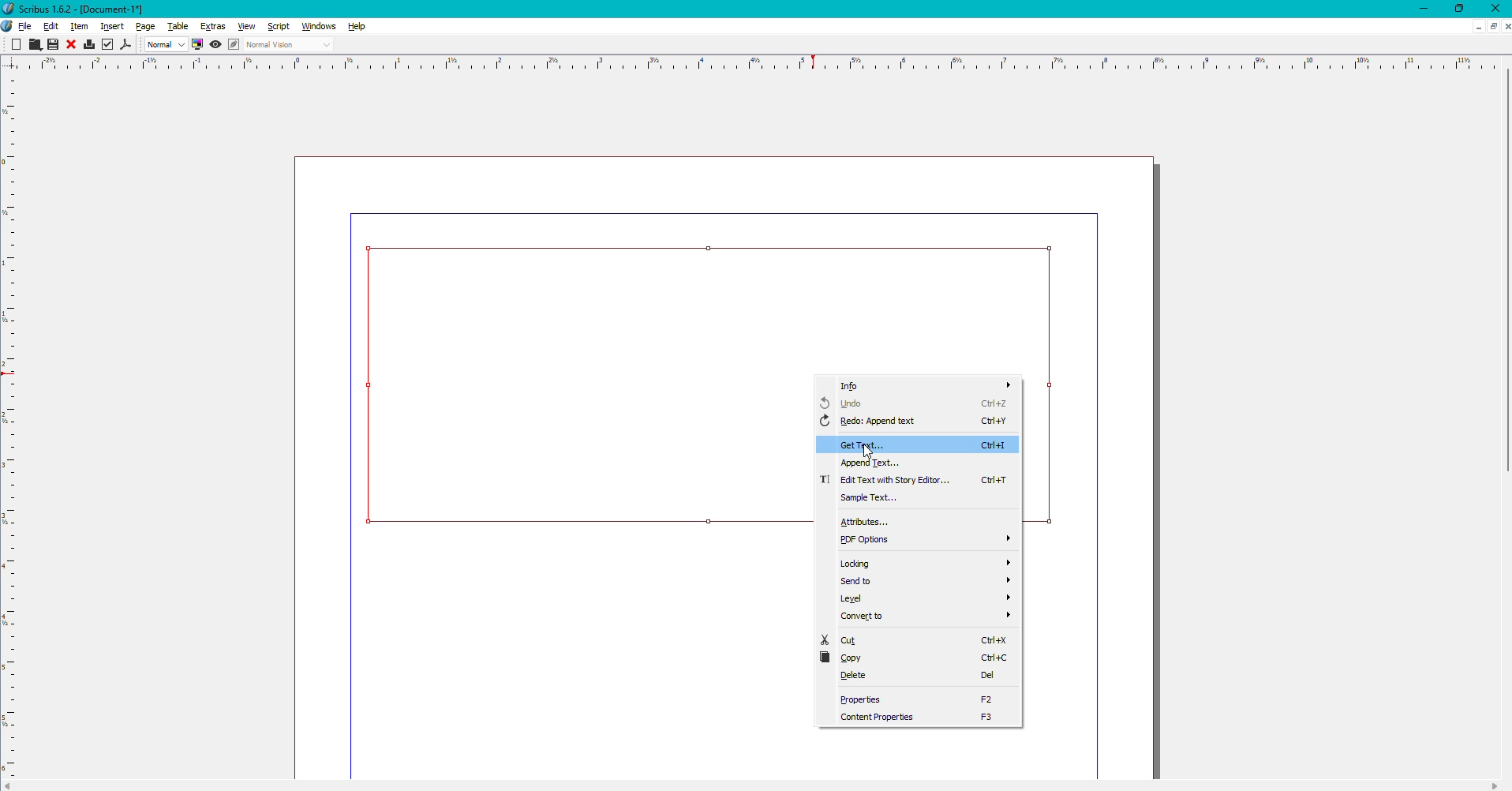 This screenshot has width=1512, height=791. I want to click on Edit text, so click(915, 480).